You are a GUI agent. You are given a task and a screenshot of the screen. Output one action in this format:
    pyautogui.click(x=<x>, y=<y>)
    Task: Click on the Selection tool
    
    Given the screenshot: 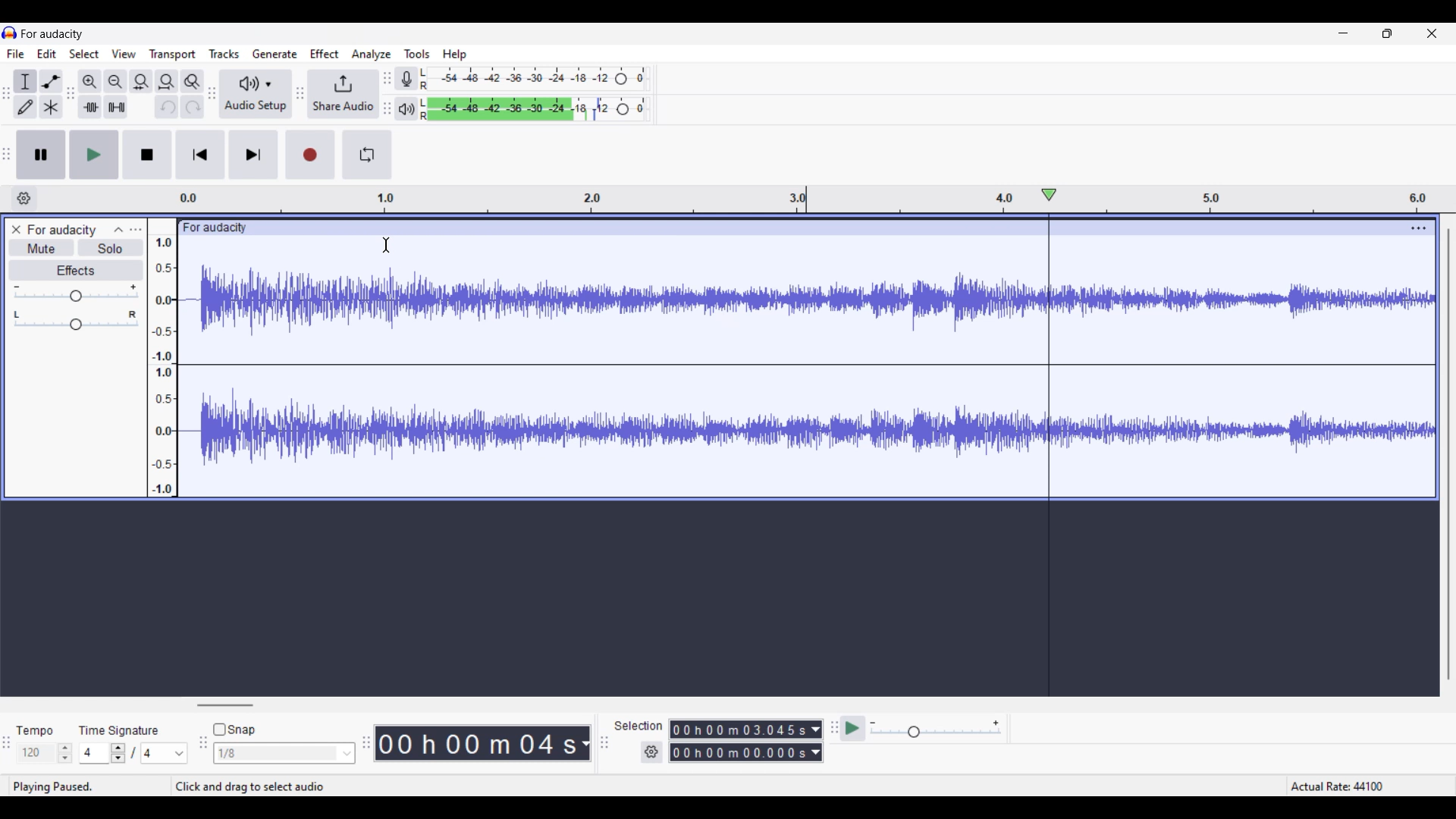 What is the action you would take?
    pyautogui.click(x=26, y=82)
    